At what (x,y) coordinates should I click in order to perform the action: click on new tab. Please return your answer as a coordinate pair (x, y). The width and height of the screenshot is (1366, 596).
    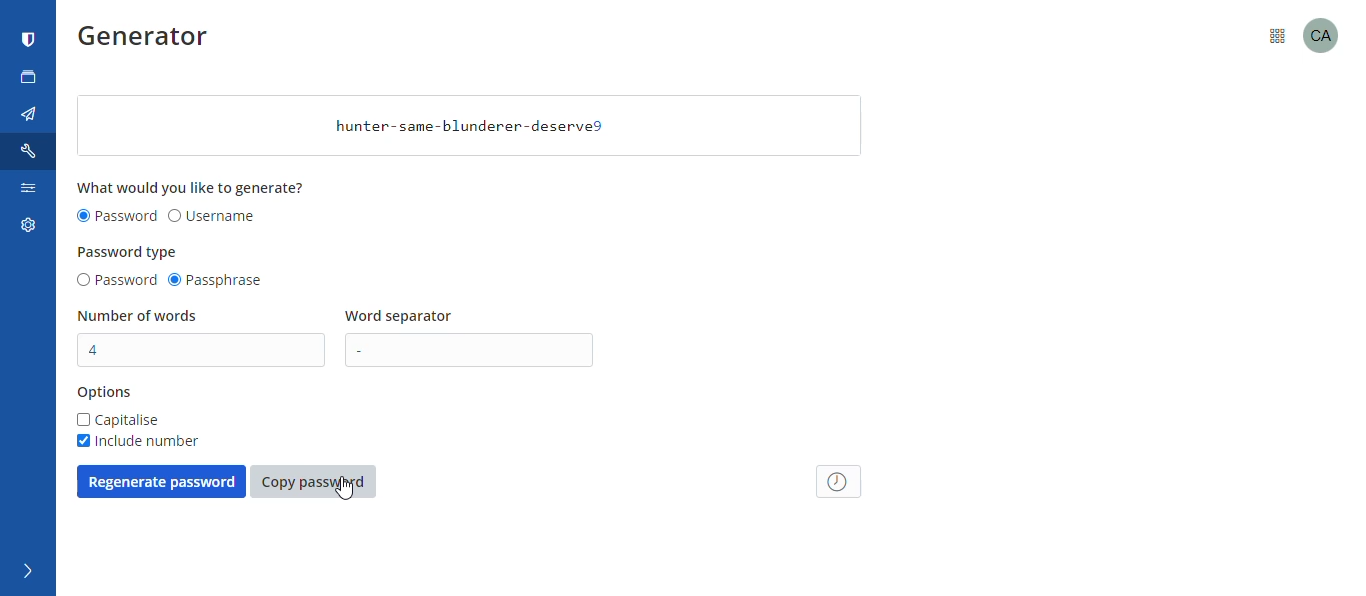
    Looking at the image, I should click on (29, 77).